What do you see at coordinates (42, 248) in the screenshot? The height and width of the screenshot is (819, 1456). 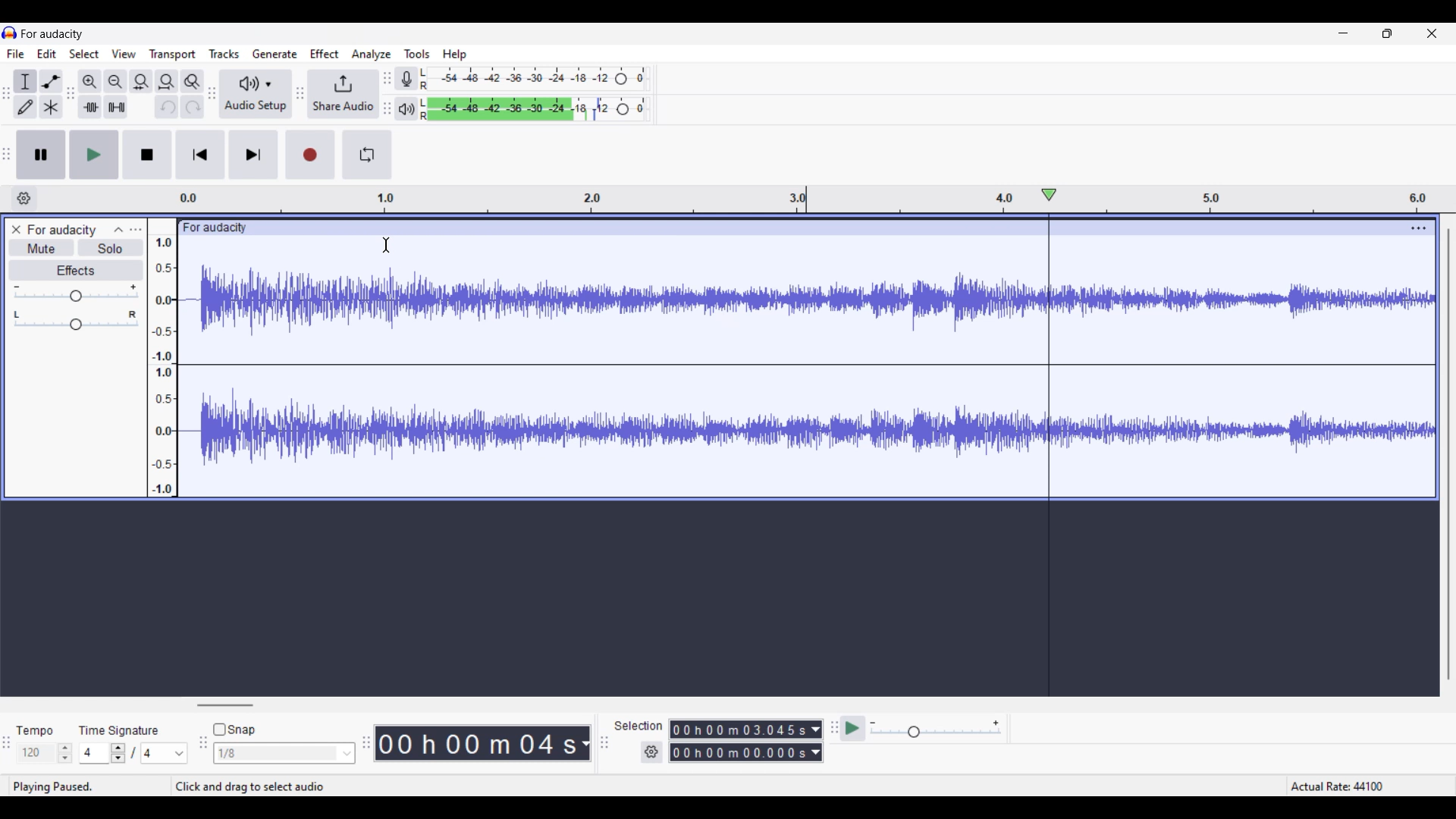 I see `Mute` at bounding box center [42, 248].